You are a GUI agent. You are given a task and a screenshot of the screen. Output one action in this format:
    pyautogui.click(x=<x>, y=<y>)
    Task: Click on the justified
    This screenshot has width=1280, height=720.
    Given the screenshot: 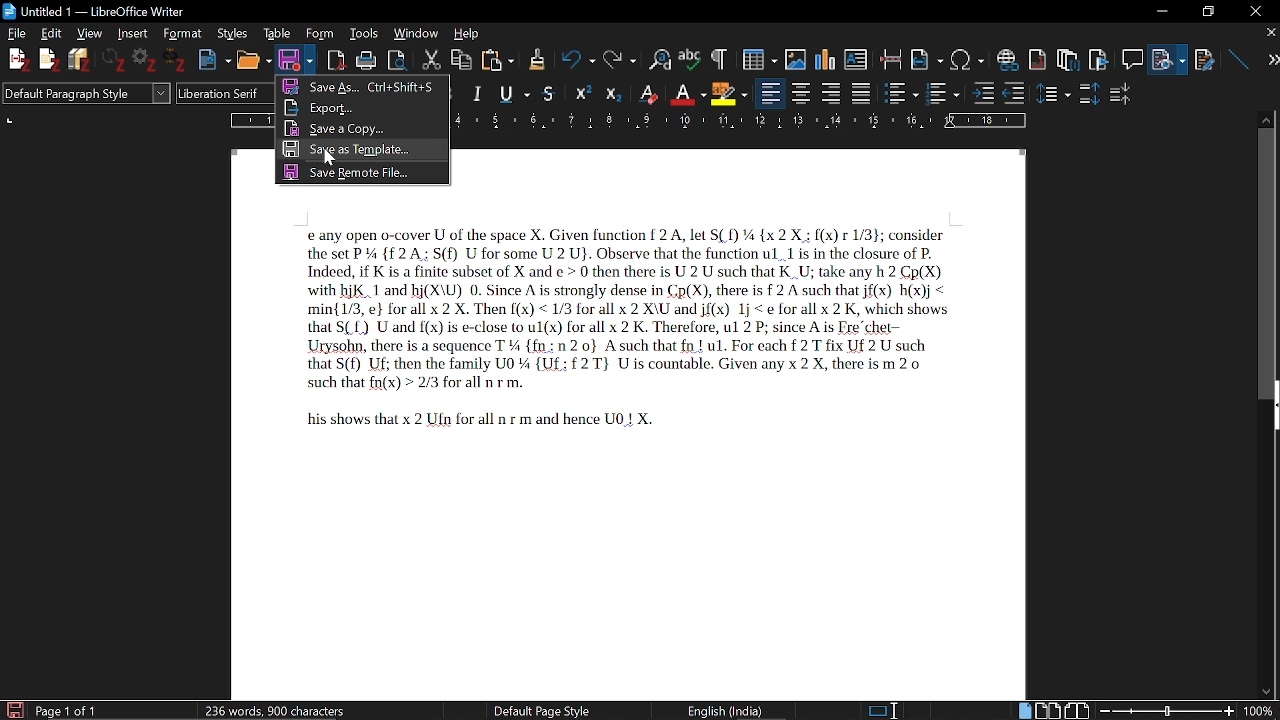 What is the action you would take?
    pyautogui.click(x=863, y=93)
    